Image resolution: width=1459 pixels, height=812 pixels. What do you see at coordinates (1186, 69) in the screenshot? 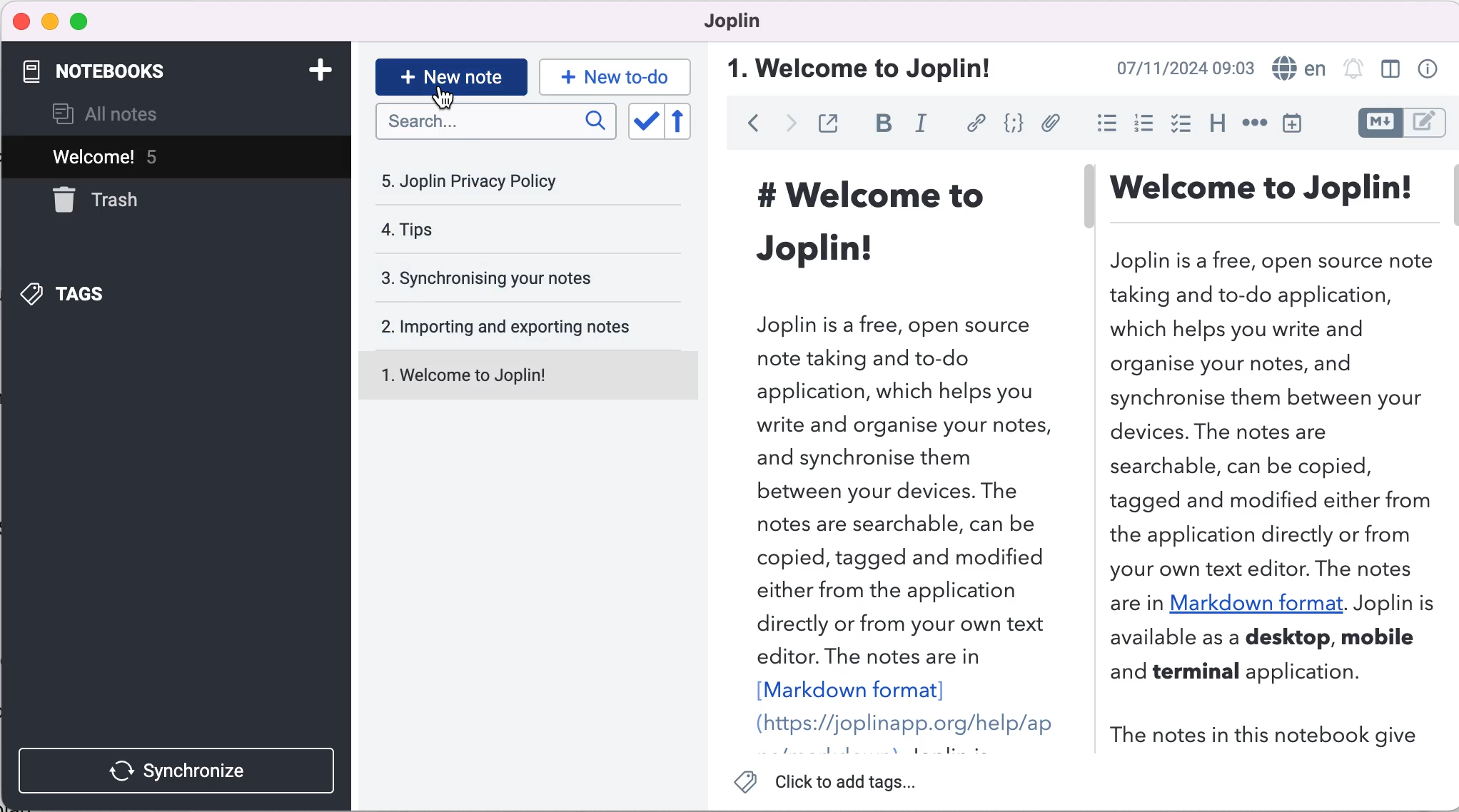
I see `time and date` at bounding box center [1186, 69].